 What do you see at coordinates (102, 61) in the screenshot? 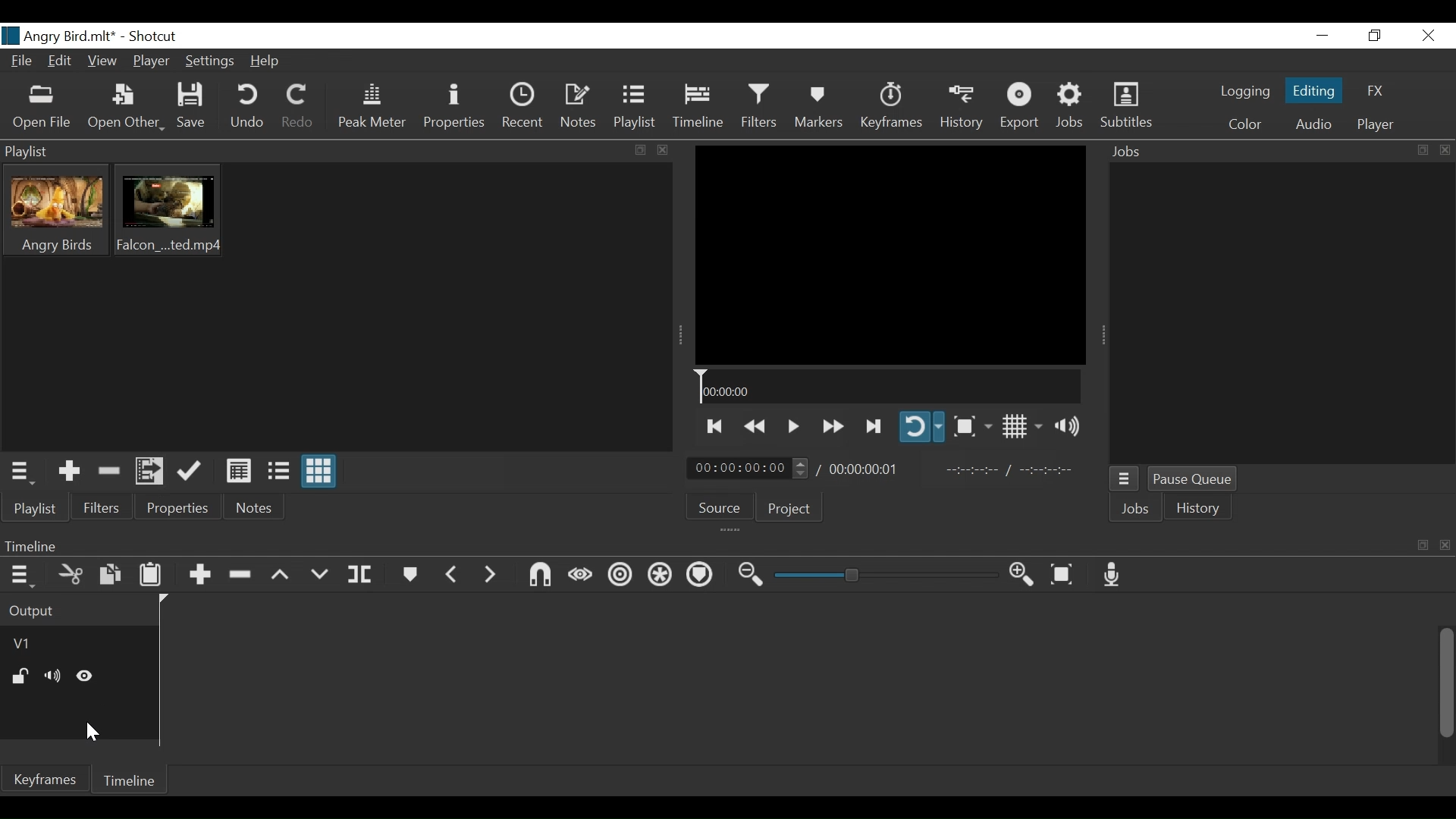
I see `View` at bounding box center [102, 61].